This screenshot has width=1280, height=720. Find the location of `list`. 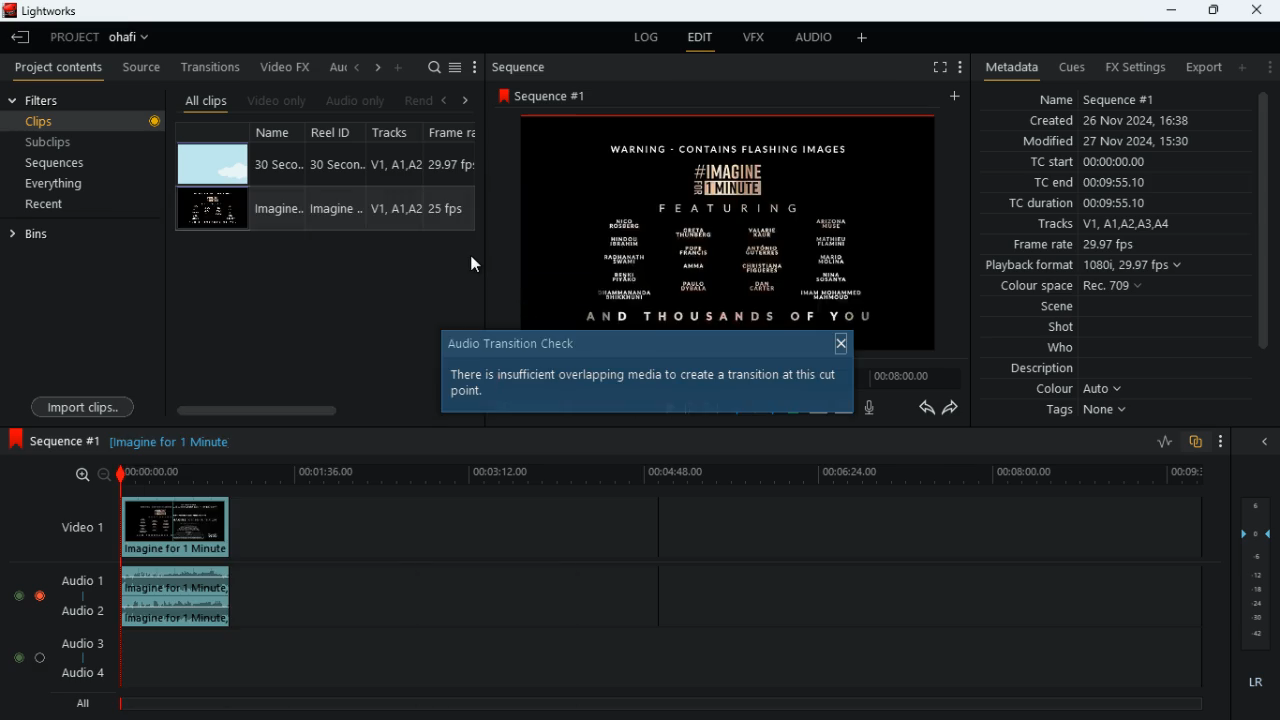

list is located at coordinates (455, 68).